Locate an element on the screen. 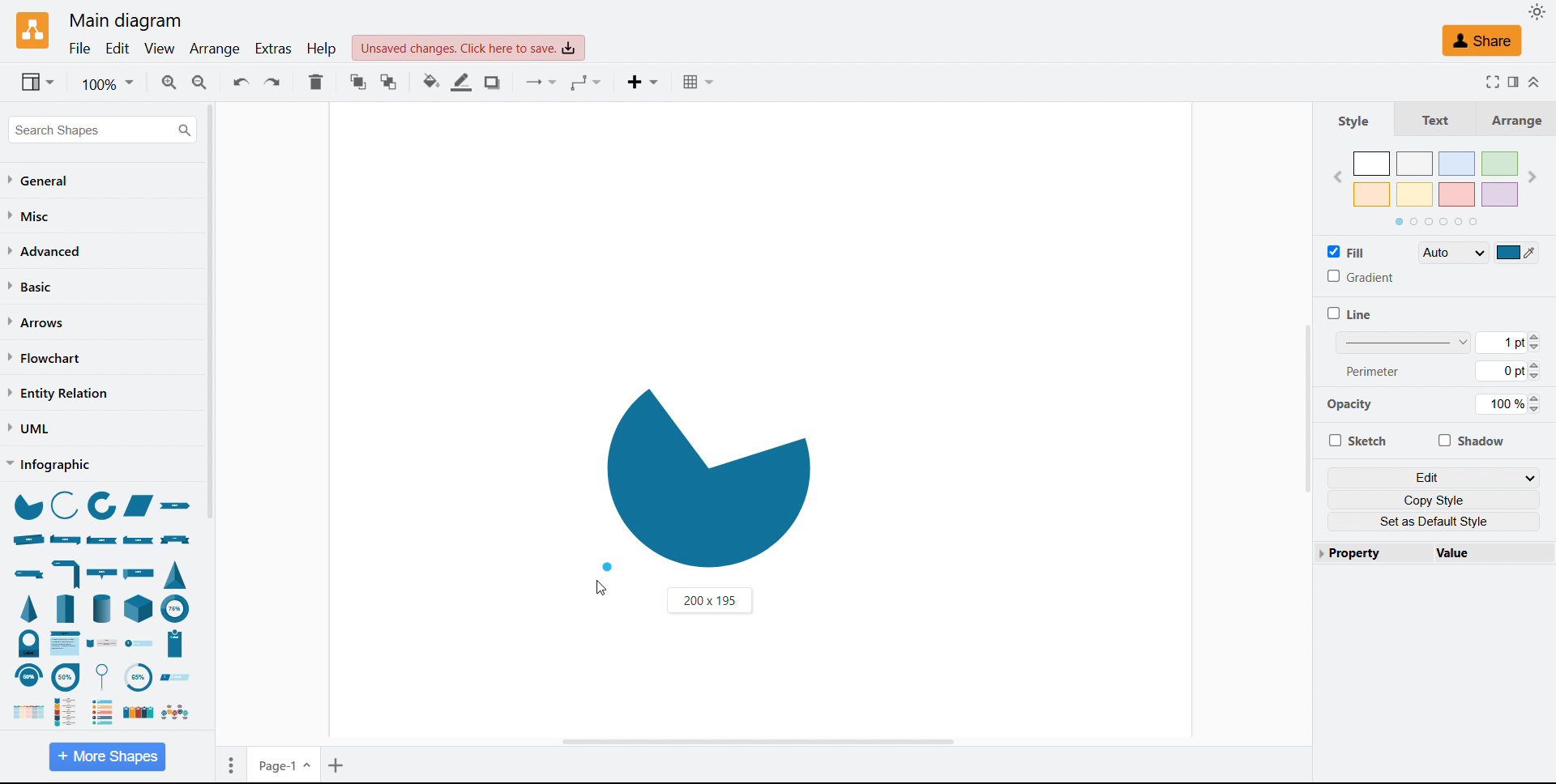 The height and width of the screenshot is (784, 1556). Shape being resized  is located at coordinates (707, 476).